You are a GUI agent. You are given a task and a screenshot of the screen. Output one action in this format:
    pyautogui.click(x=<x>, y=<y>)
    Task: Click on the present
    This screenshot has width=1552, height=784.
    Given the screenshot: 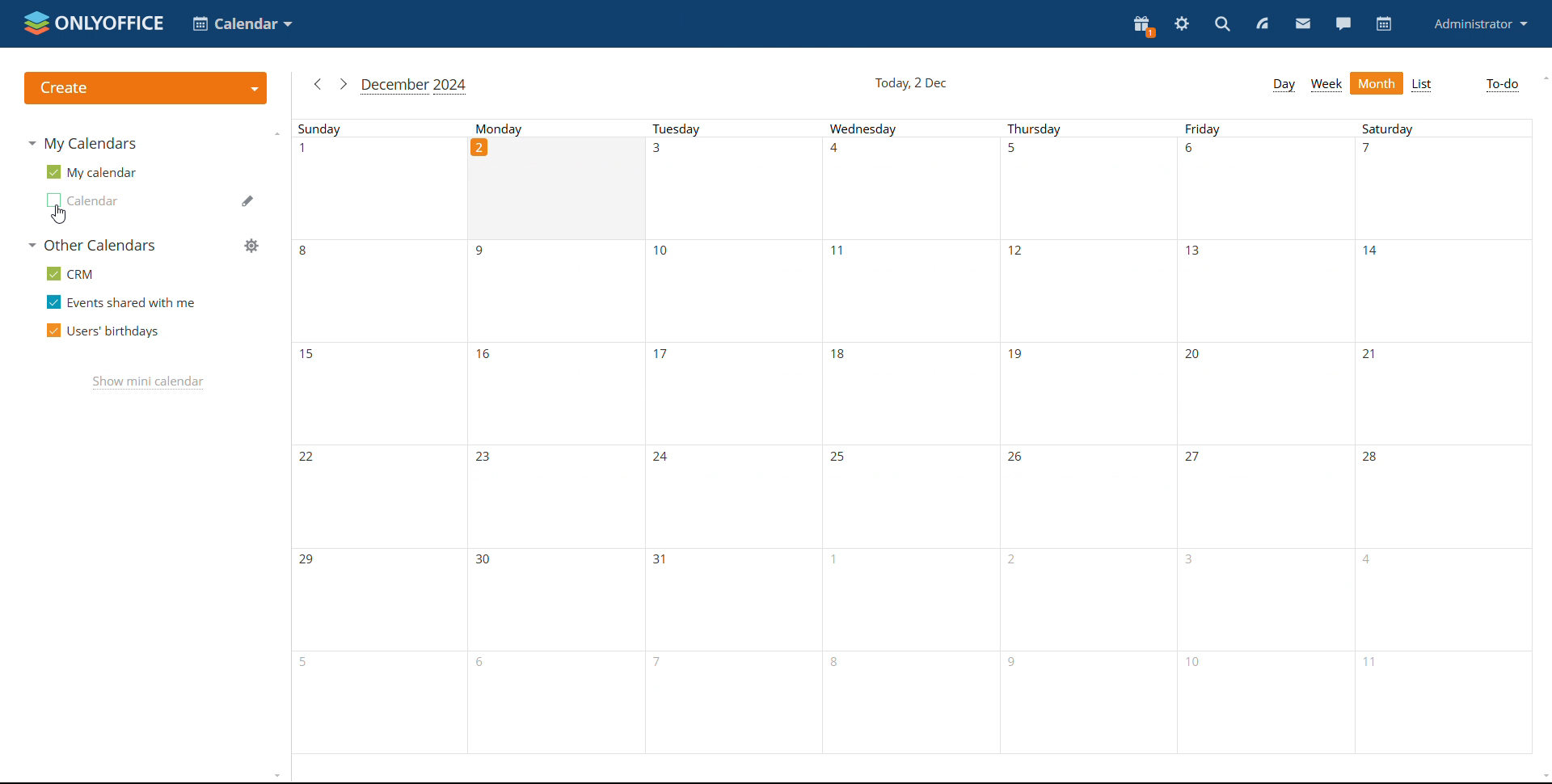 What is the action you would take?
    pyautogui.click(x=1143, y=27)
    